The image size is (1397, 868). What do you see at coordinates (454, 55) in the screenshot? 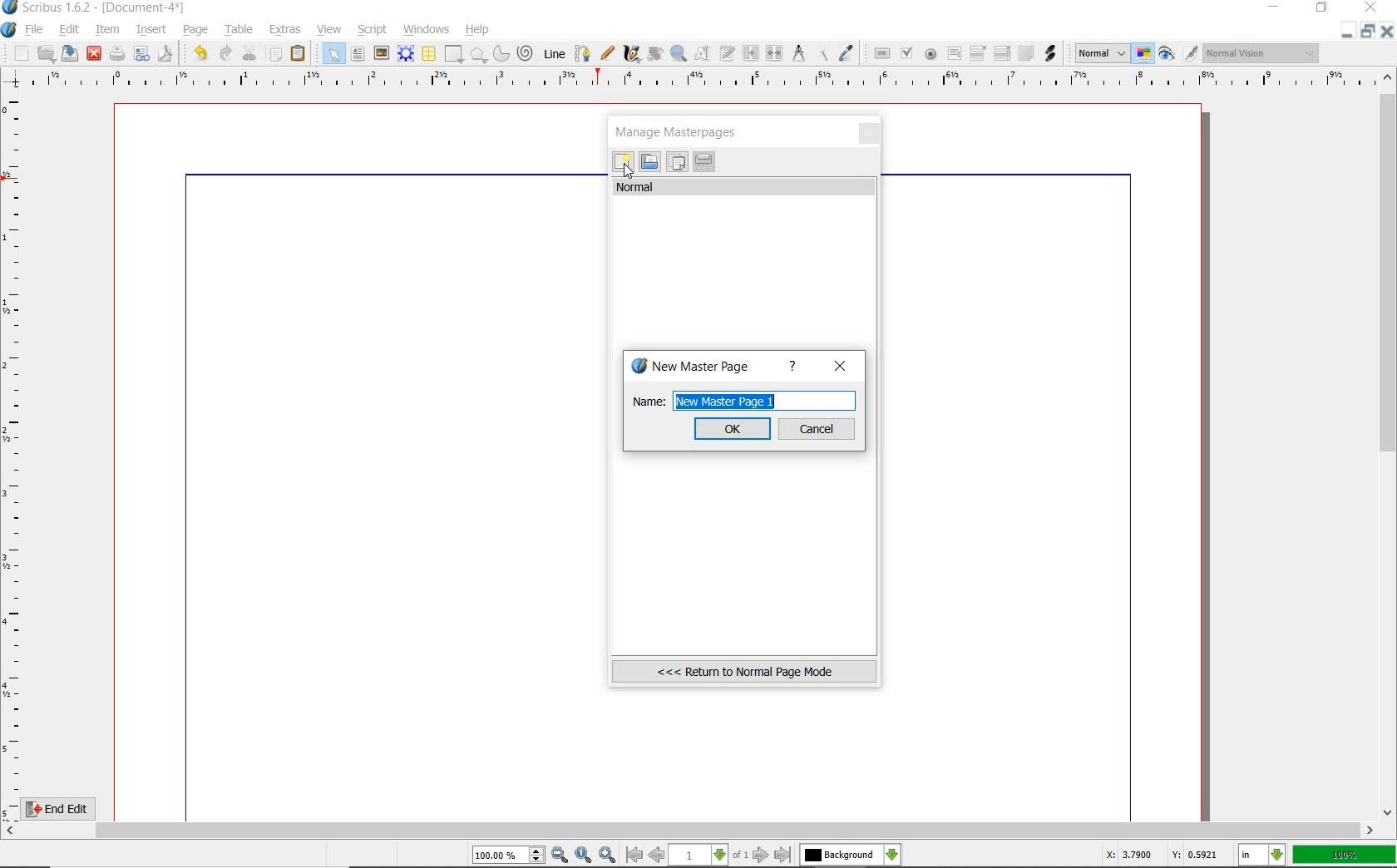
I see `shape` at bounding box center [454, 55].